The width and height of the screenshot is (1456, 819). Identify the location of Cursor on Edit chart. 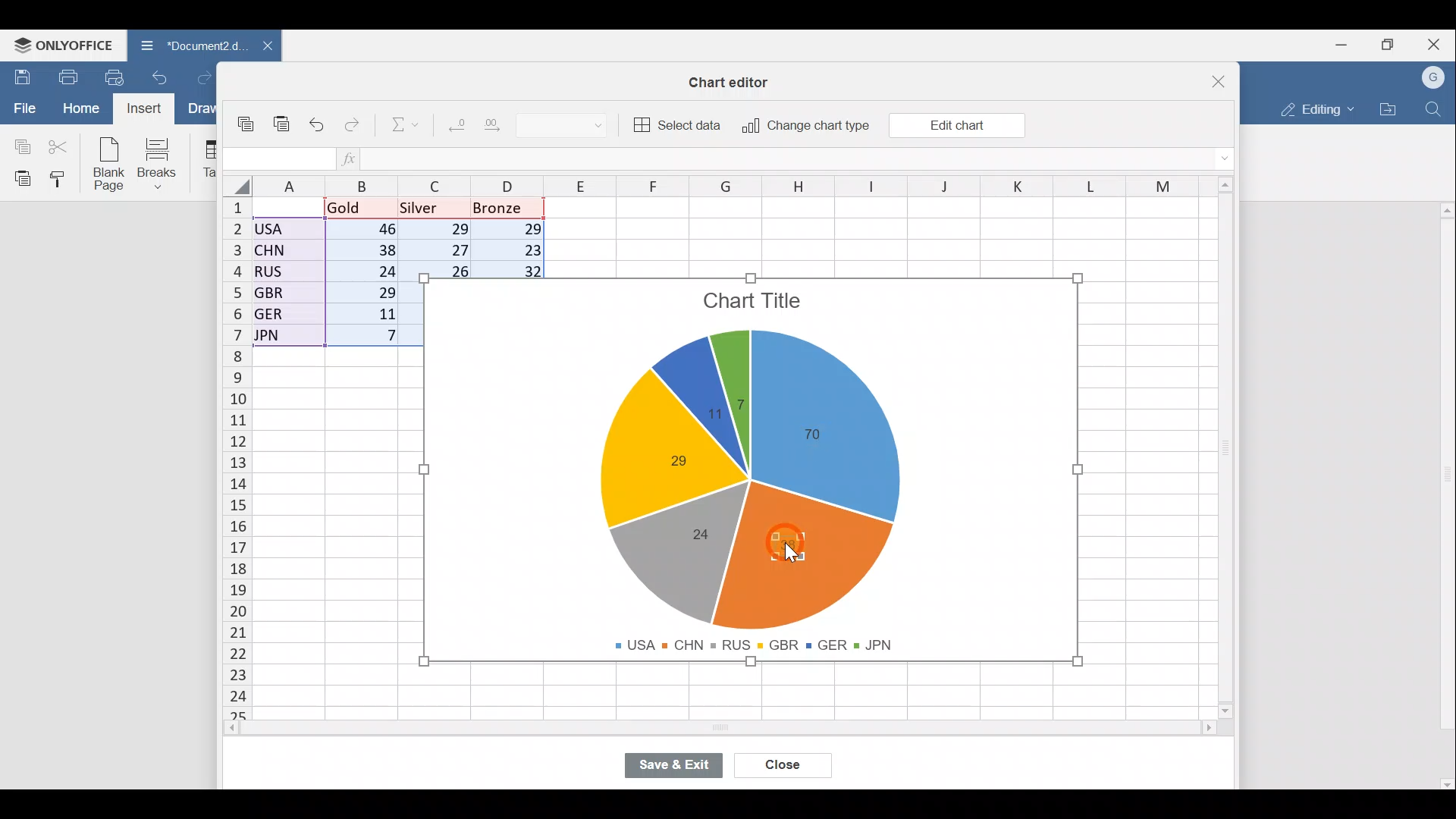
(965, 127).